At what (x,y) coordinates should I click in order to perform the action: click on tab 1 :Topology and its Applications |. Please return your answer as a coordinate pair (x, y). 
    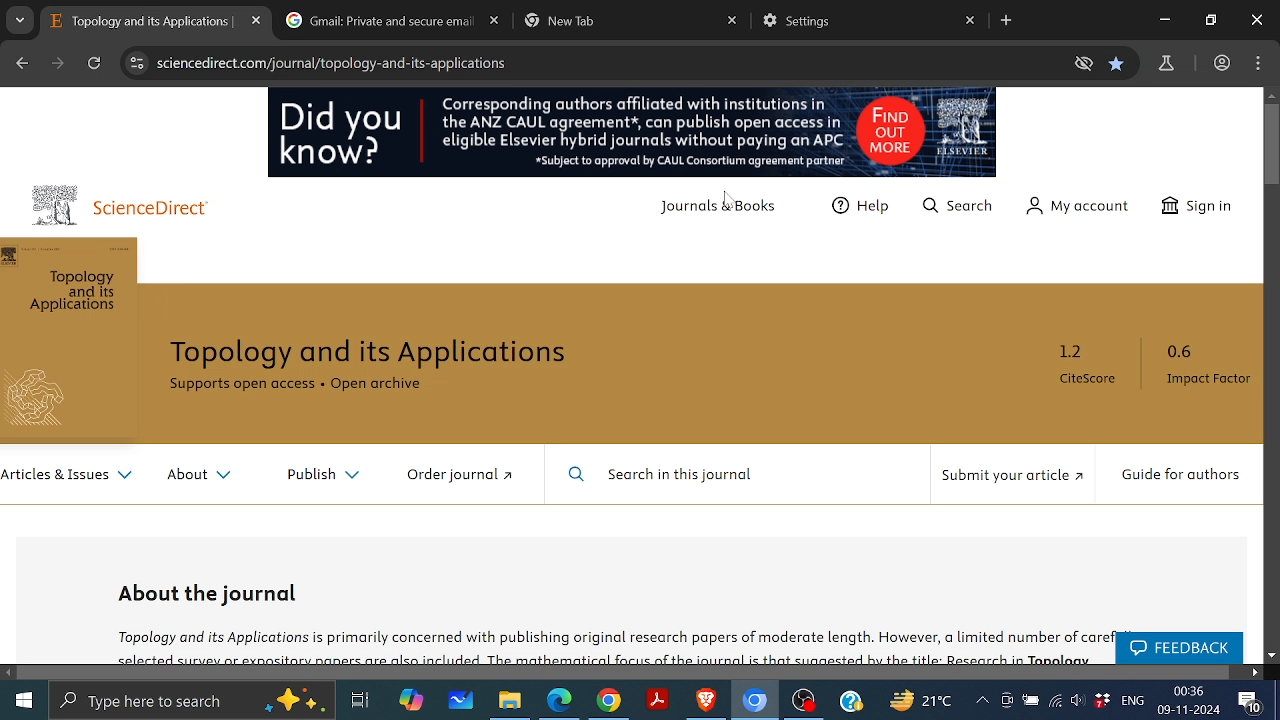
    Looking at the image, I should click on (142, 21).